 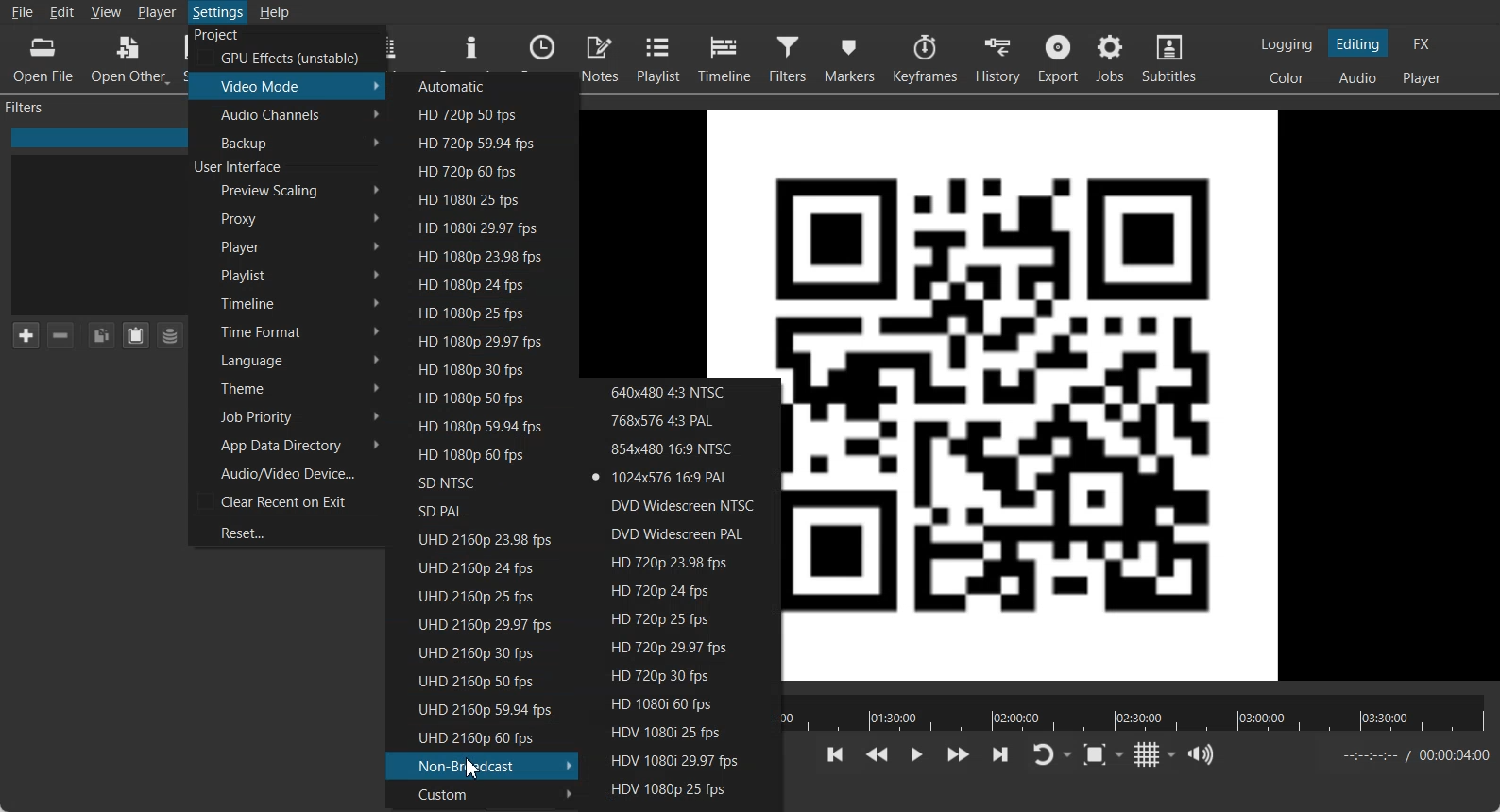 What do you see at coordinates (1151, 394) in the screenshot?
I see `File preview window` at bounding box center [1151, 394].